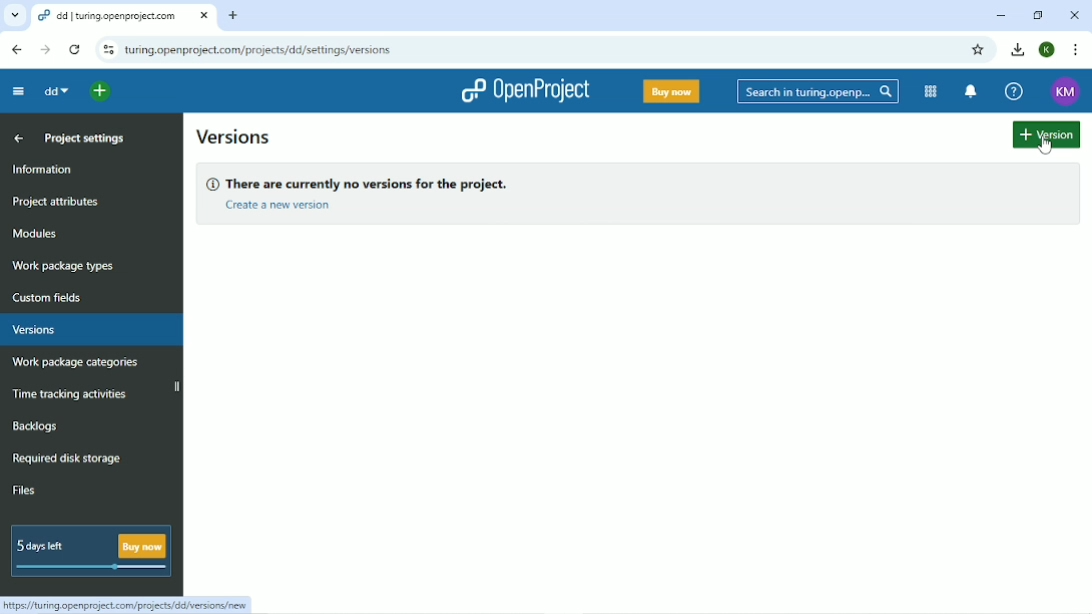 This screenshot has width=1092, height=614. What do you see at coordinates (1066, 92) in the screenshot?
I see `Account` at bounding box center [1066, 92].